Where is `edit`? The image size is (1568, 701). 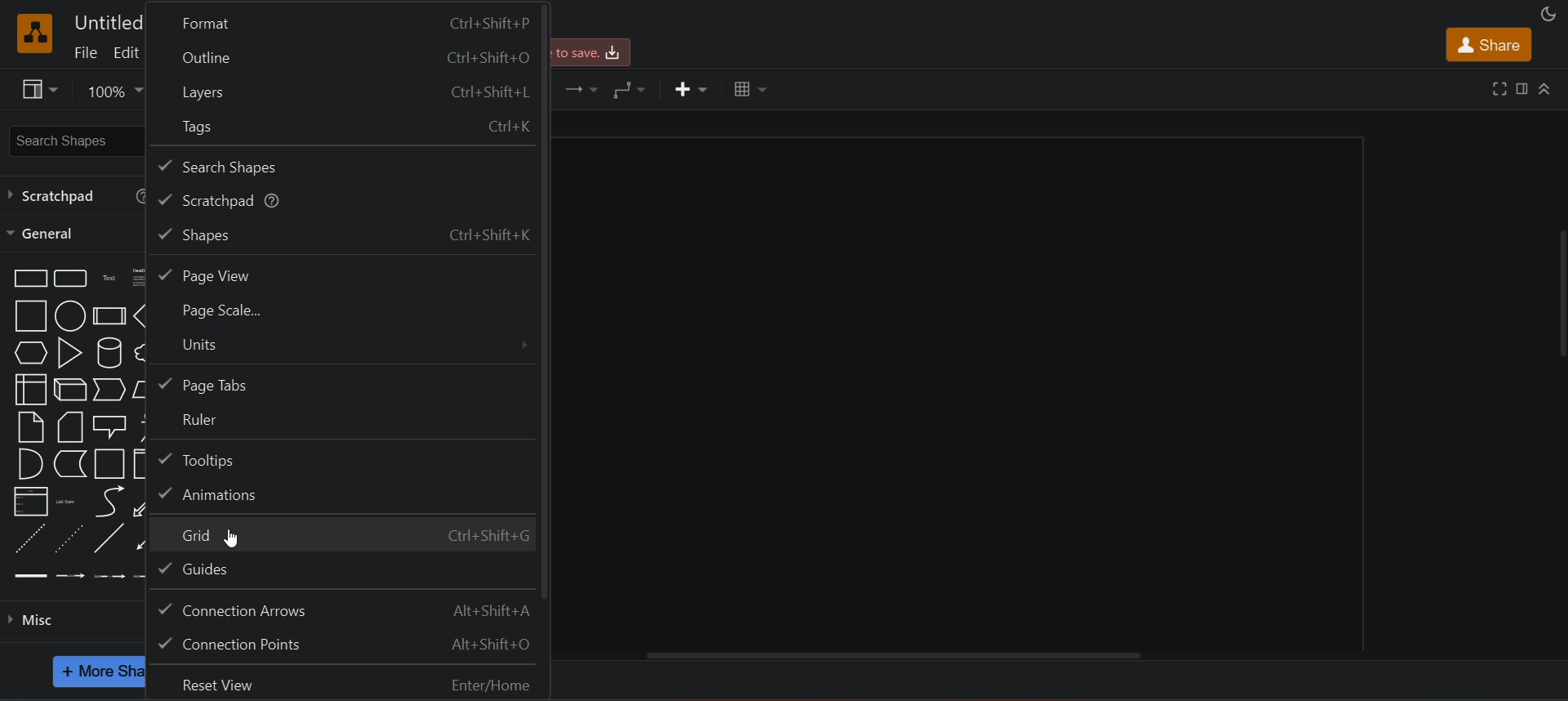
edit is located at coordinates (127, 51).